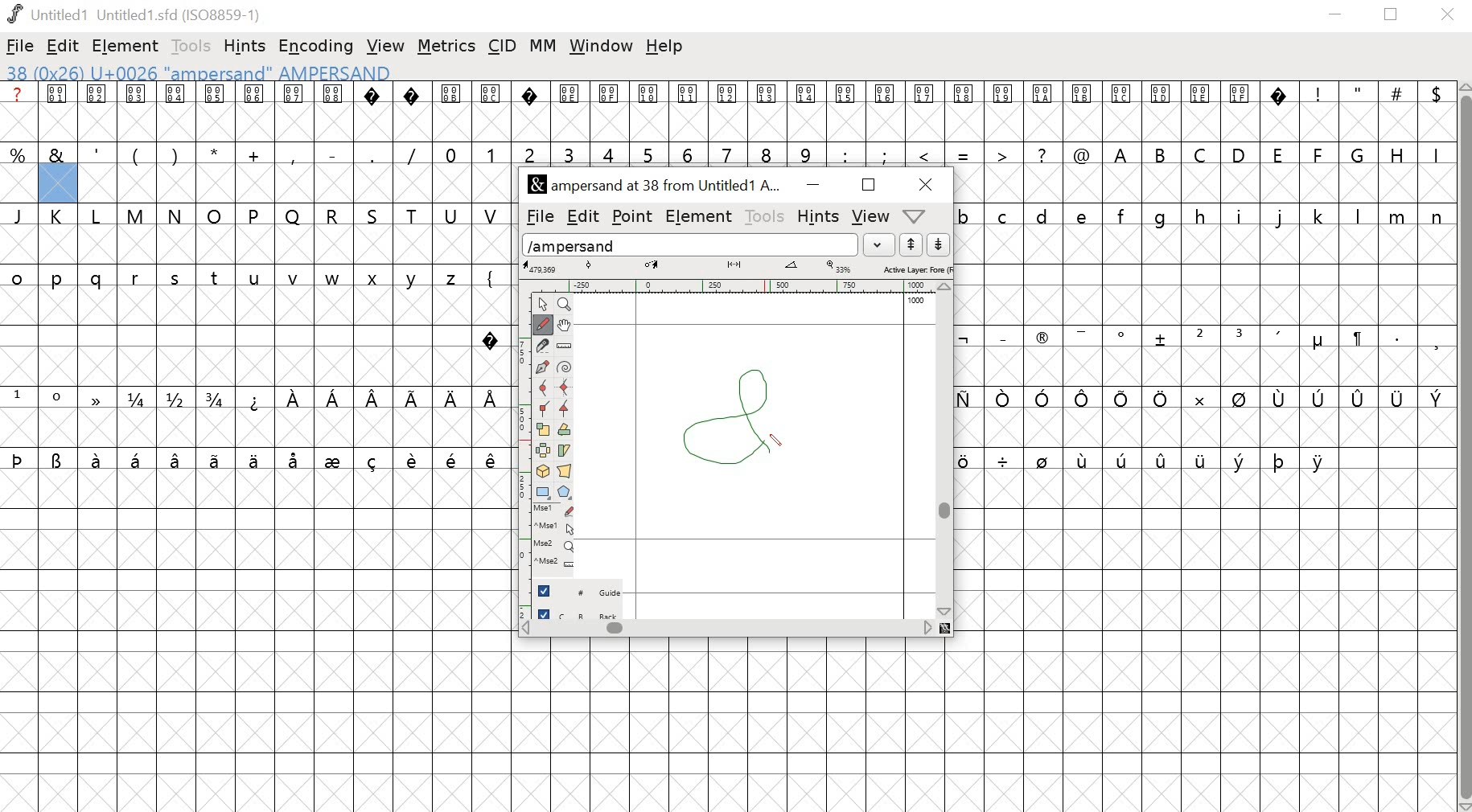 Image resolution: width=1472 pixels, height=812 pixels. I want to click on ., so click(1396, 337).